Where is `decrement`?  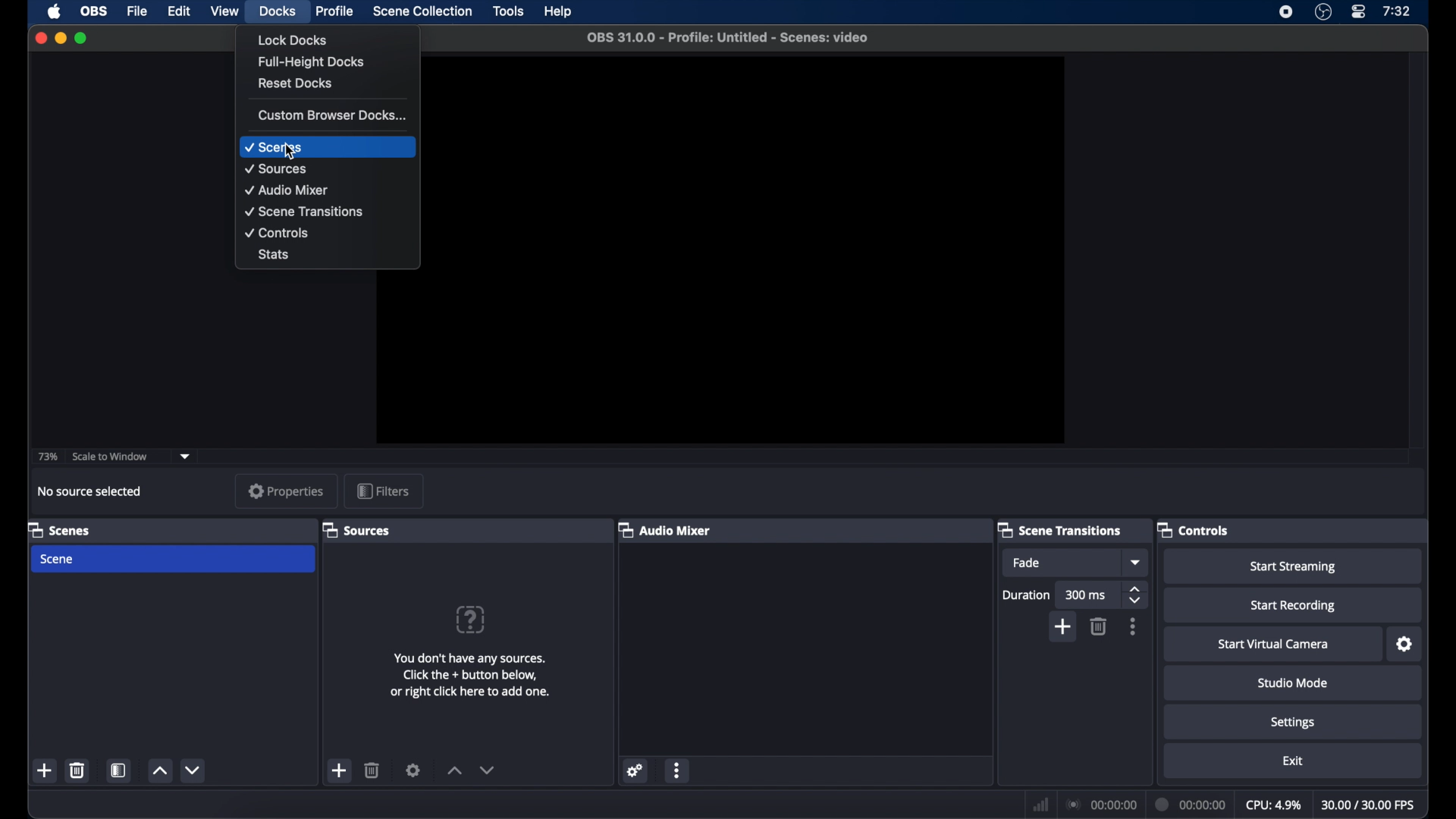 decrement is located at coordinates (487, 770).